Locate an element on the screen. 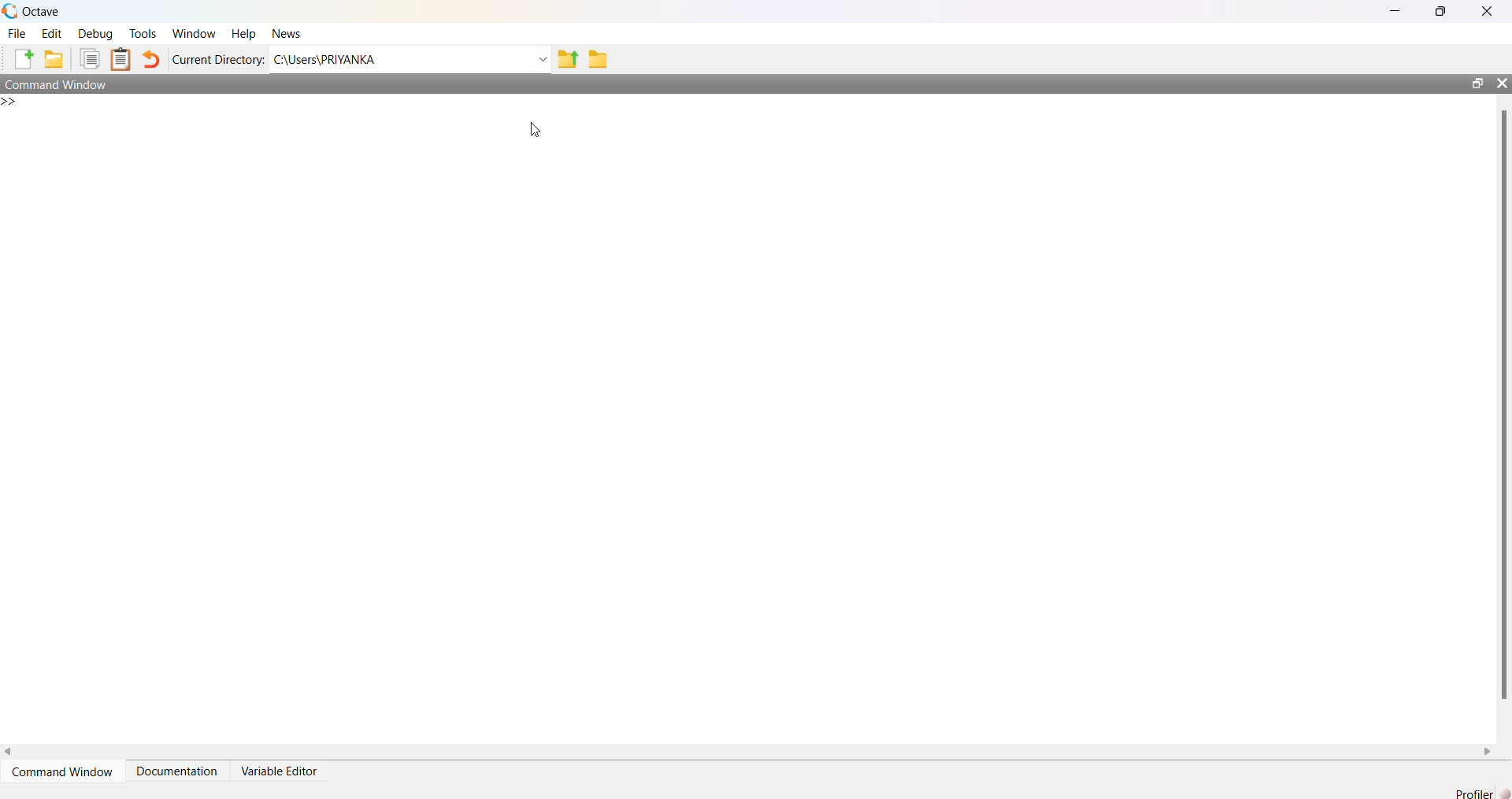 The image size is (1512, 799). News is located at coordinates (286, 34).